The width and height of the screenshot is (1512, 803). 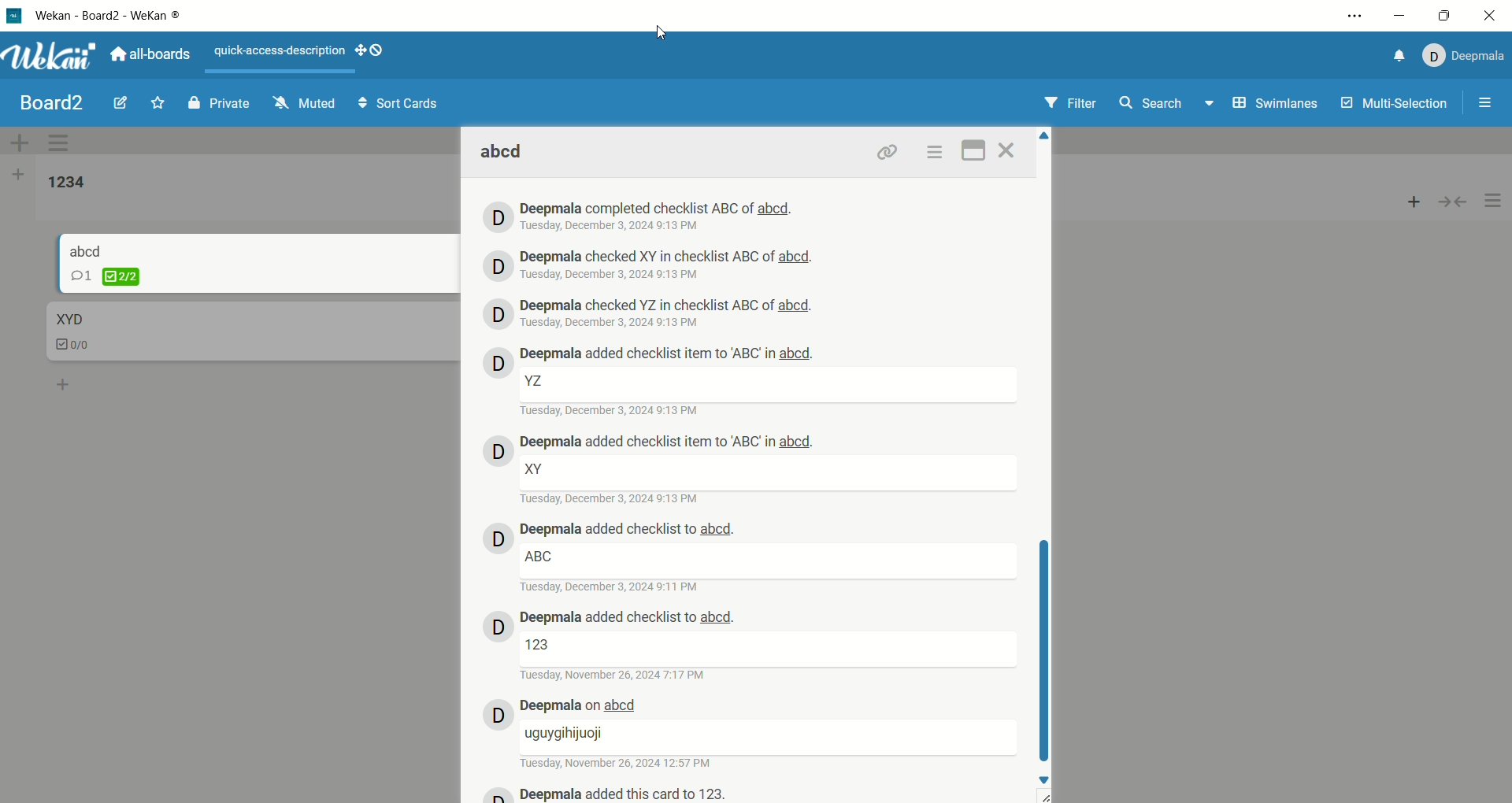 I want to click on deepmala history, so click(x=584, y=705).